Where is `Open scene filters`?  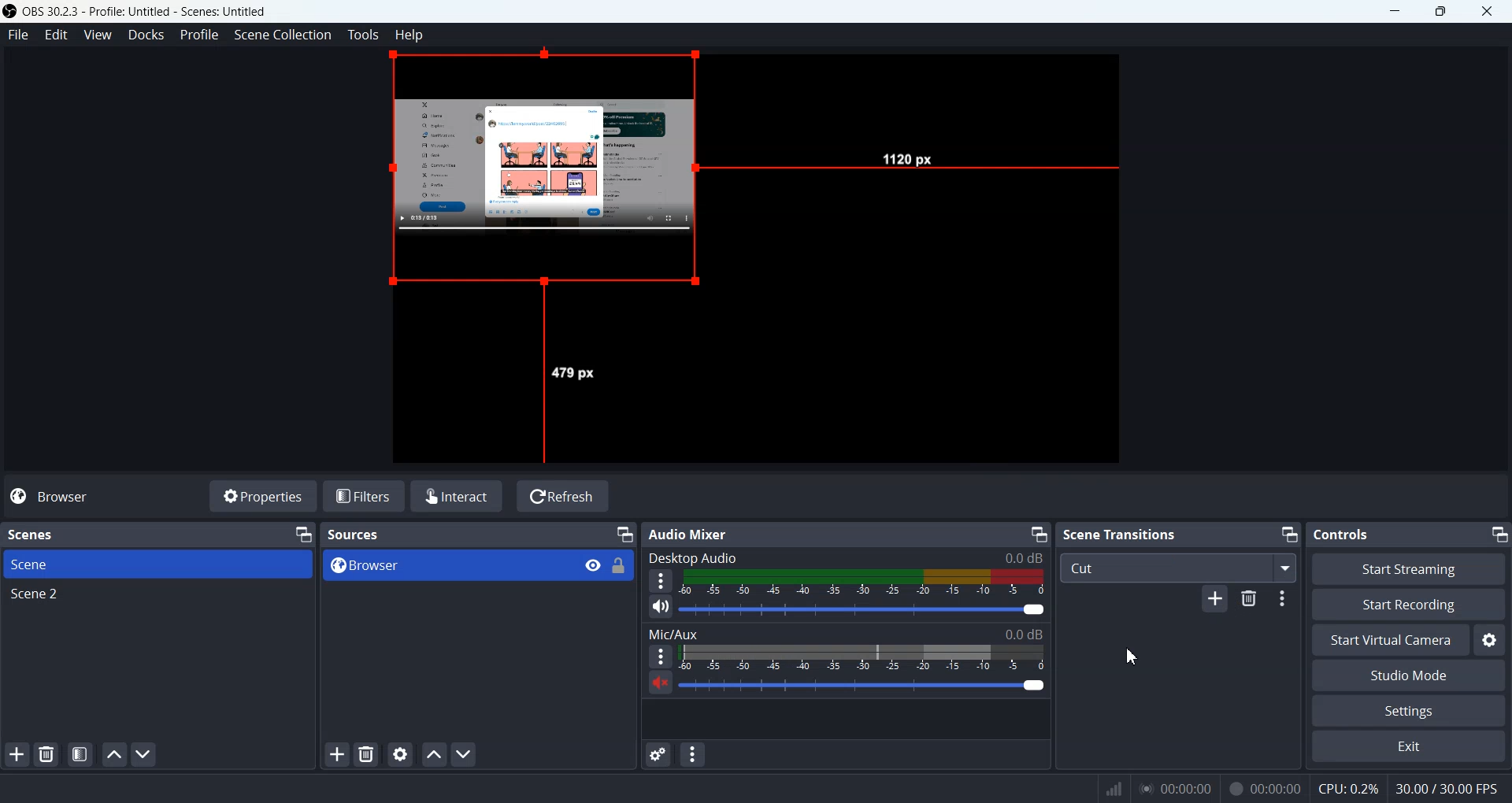
Open scene filters is located at coordinates (80, 753).